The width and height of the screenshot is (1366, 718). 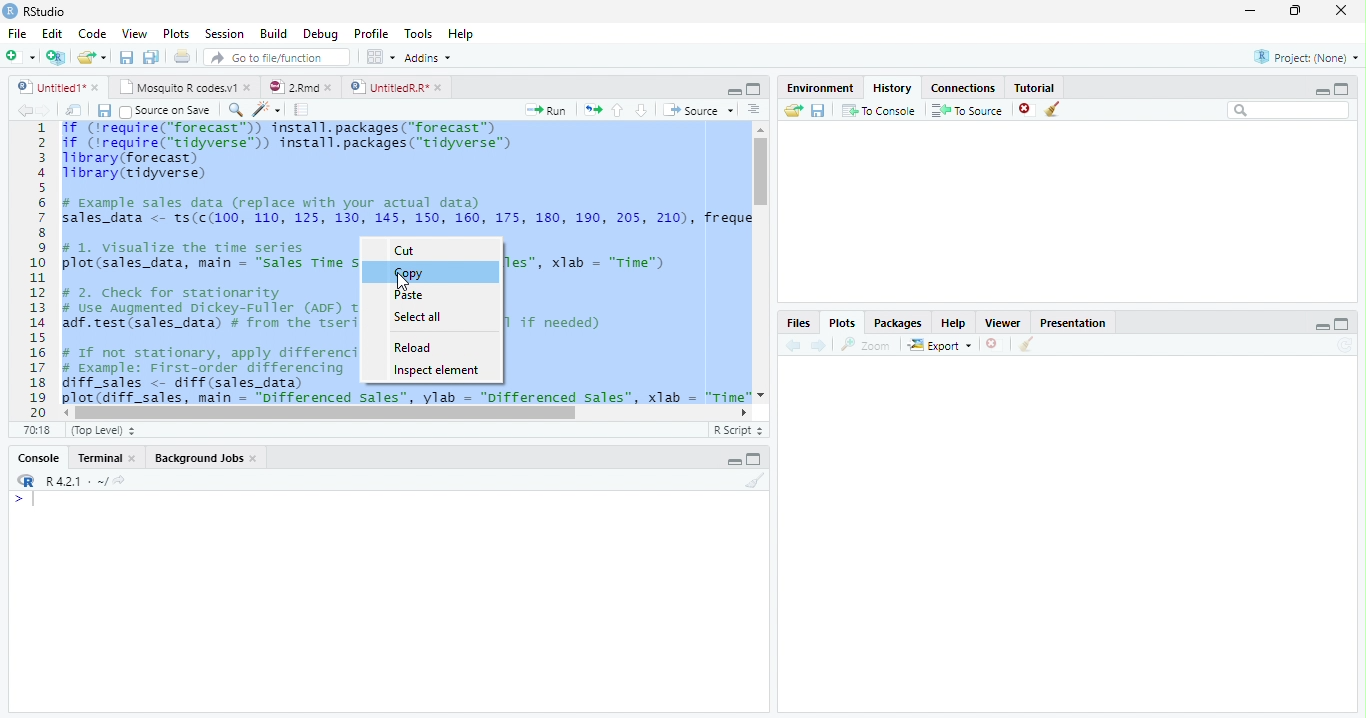 What do you see at coordinates (880, 111) in the screenshot?
I see `To Console` at bounding box center [880, 111].